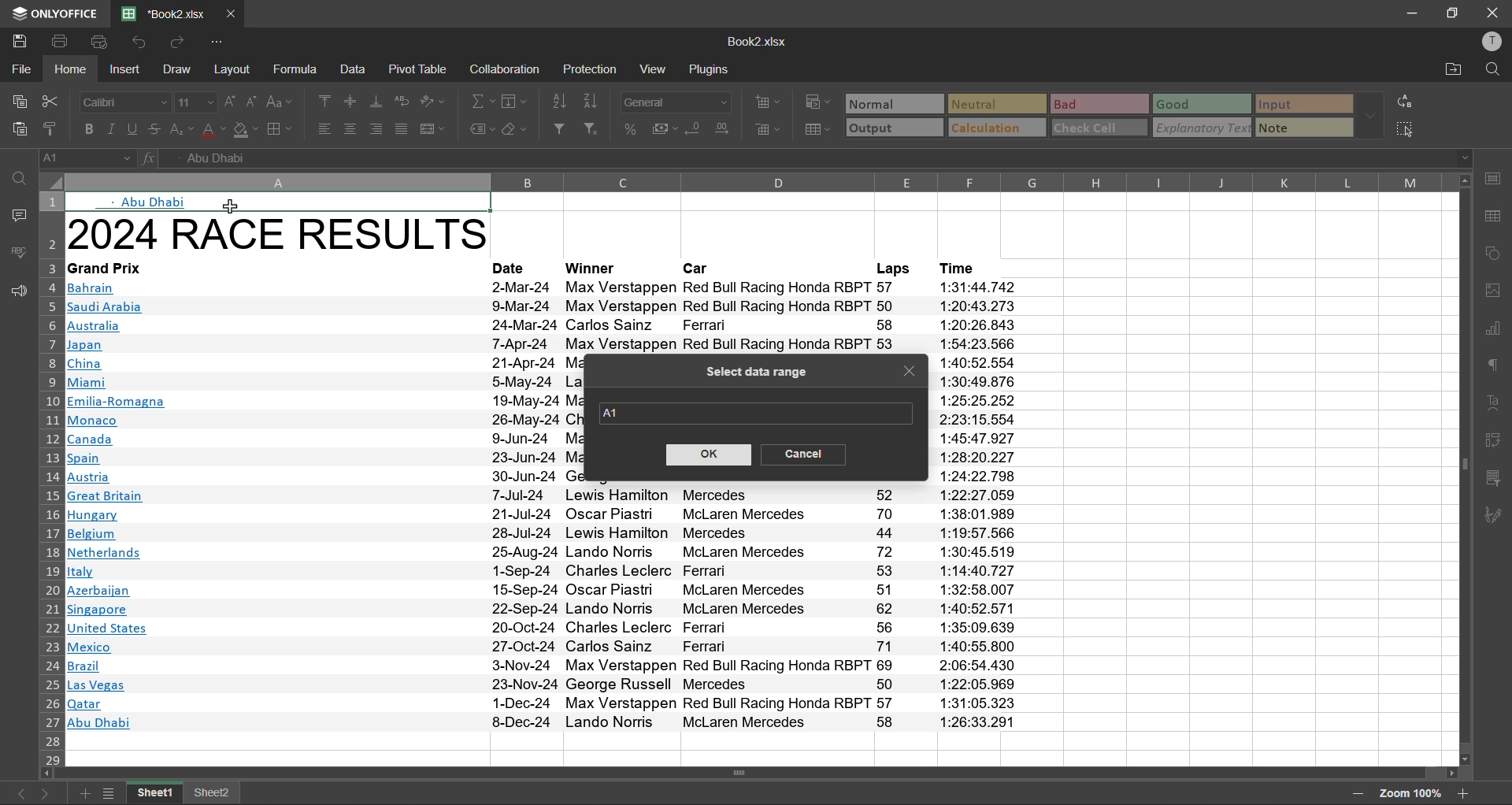 The height and width of the screenshot is (805, 1512). I want to click on slicer, so click(1492, 478).